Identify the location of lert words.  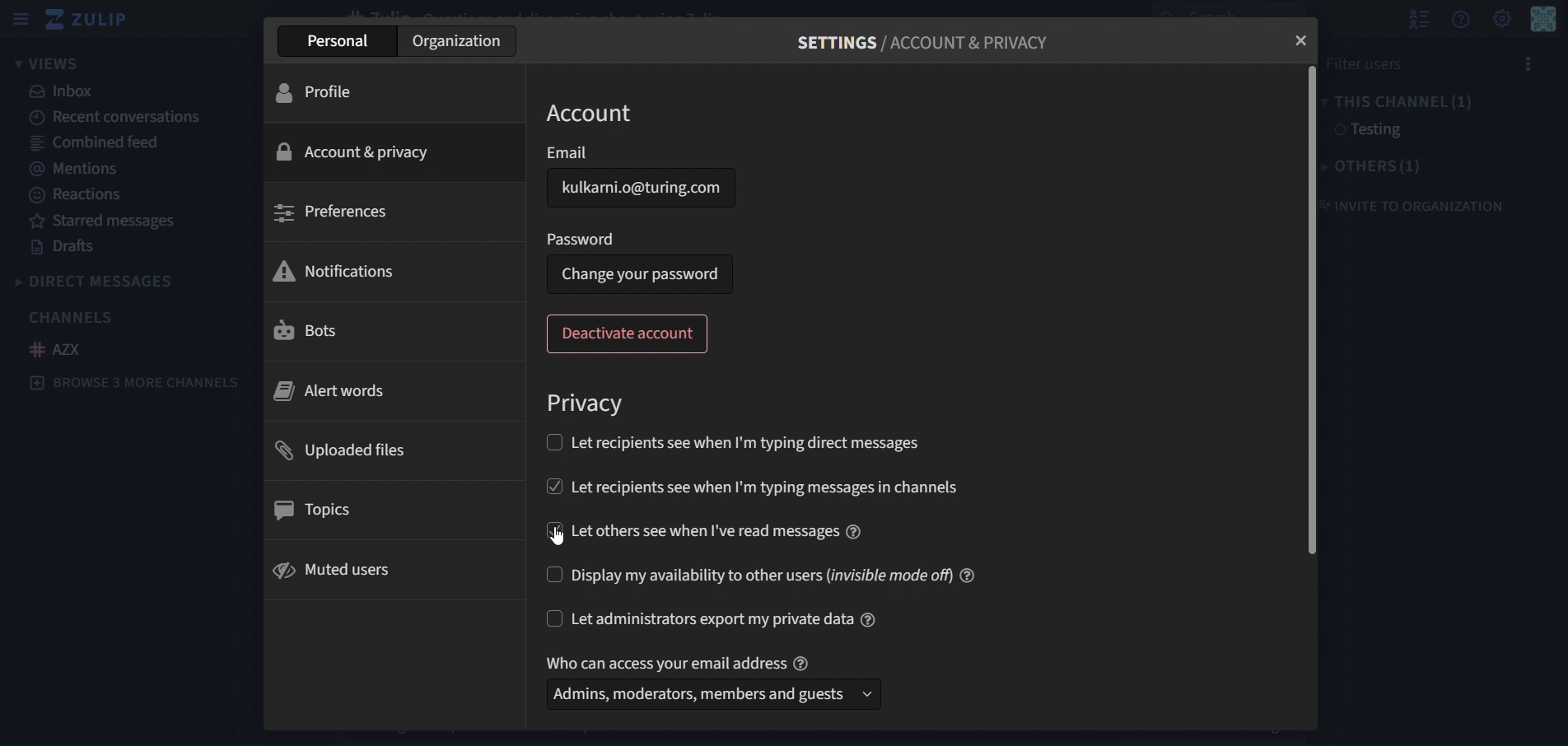
(331, 394).